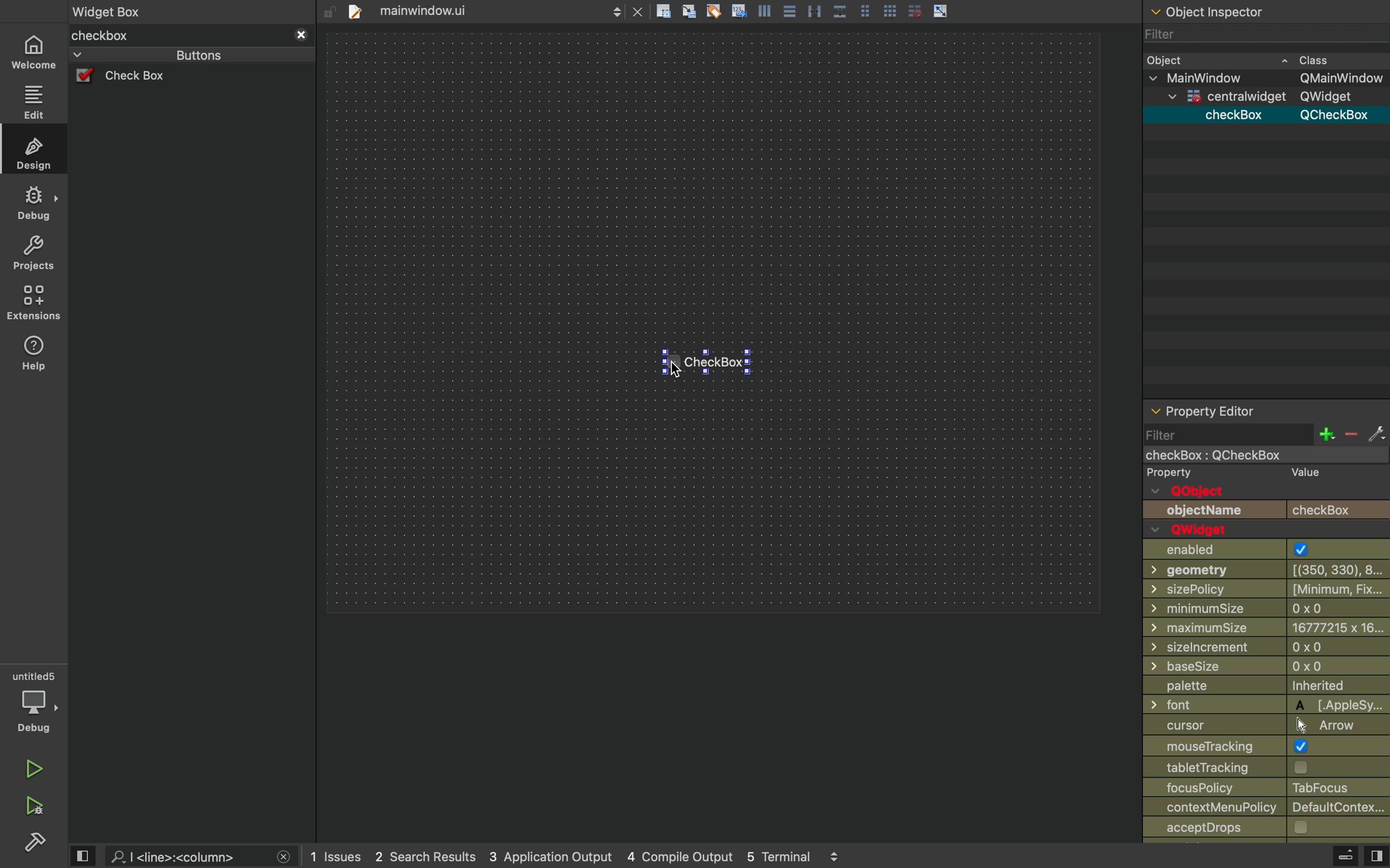 Image resolution: width=1390 pixels, height=868 pixels. I want to click on help, so click(33, 357).